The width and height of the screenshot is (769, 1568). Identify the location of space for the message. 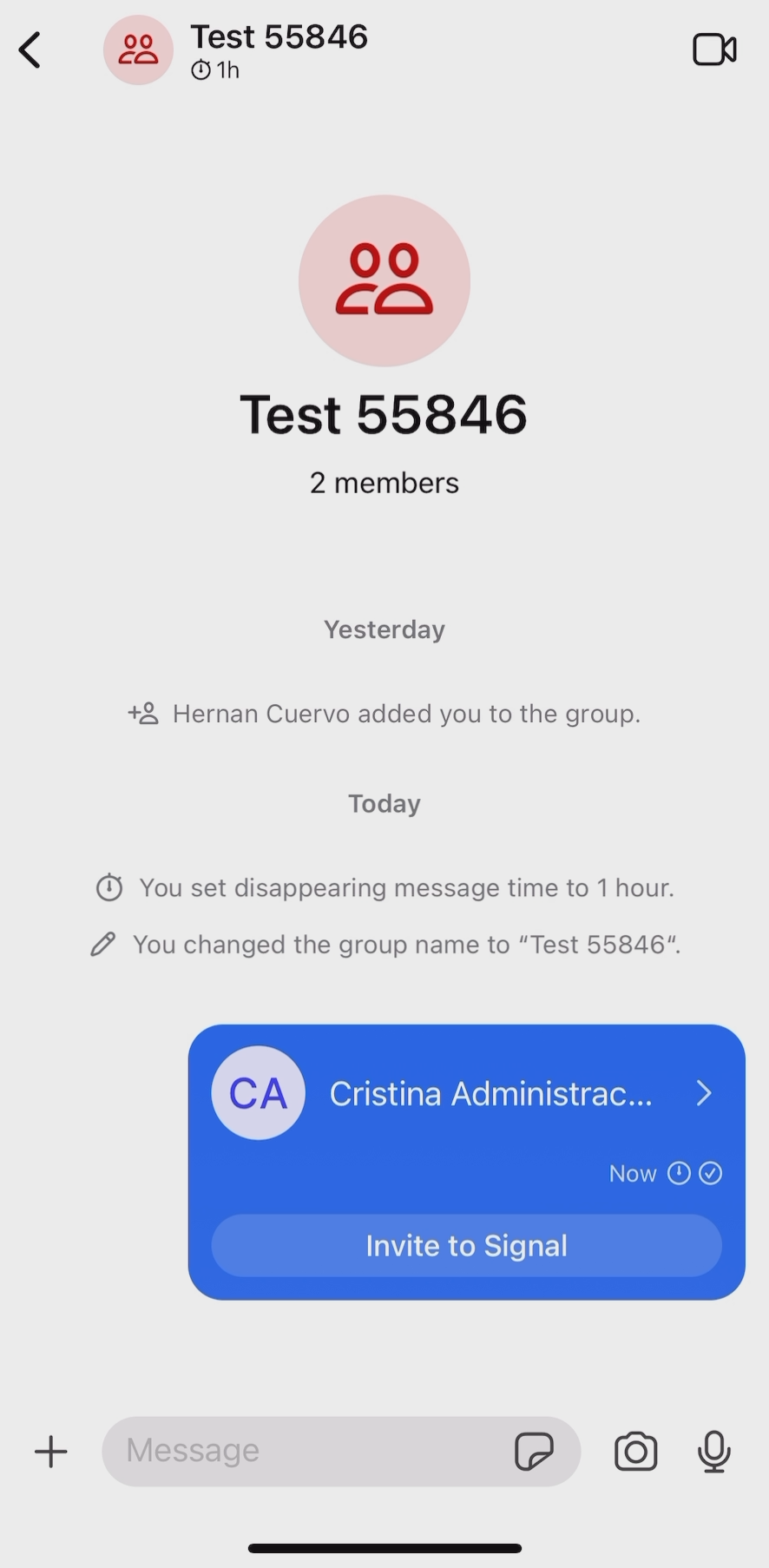
(304, 1456).